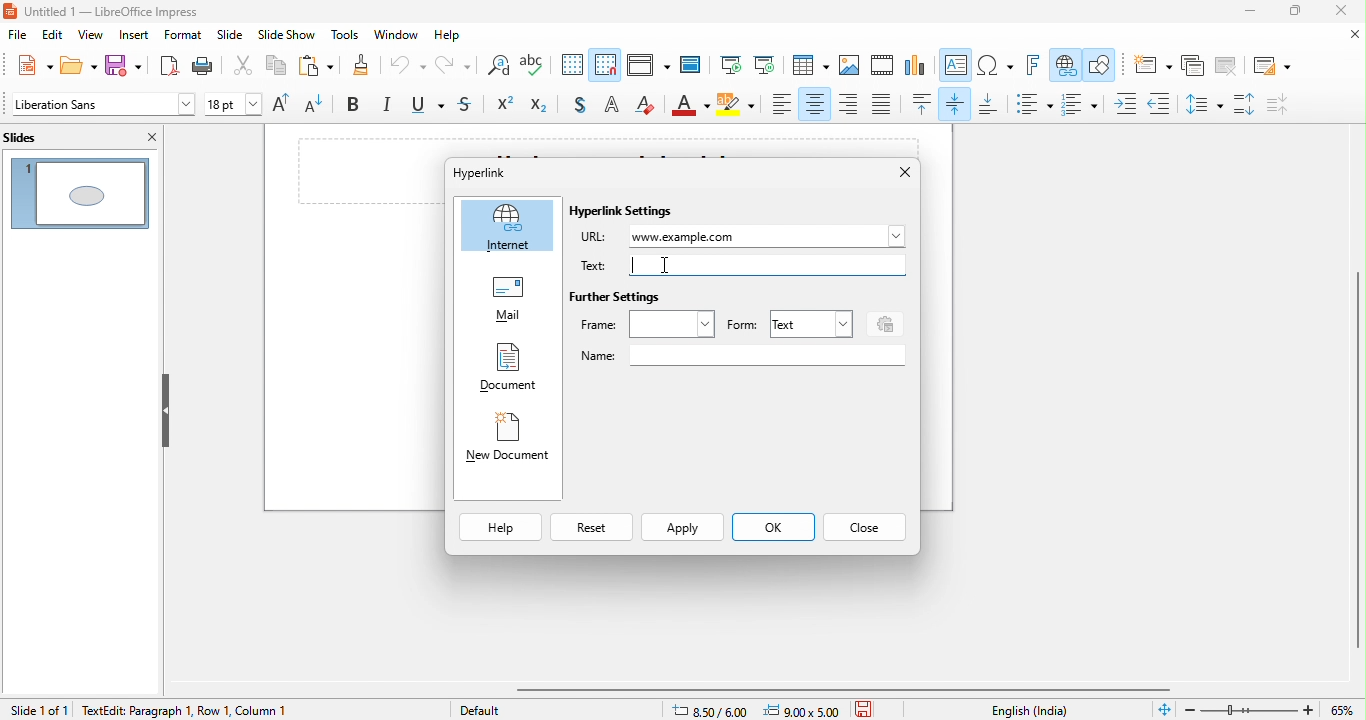 Image resolution: width=1366 pixels, height=720 pixels. What do you see at coordinates (238, 709) in the screenshot?
I see `text edit paragraph 1 row 1 column 1` at bounding box center [238, 709].